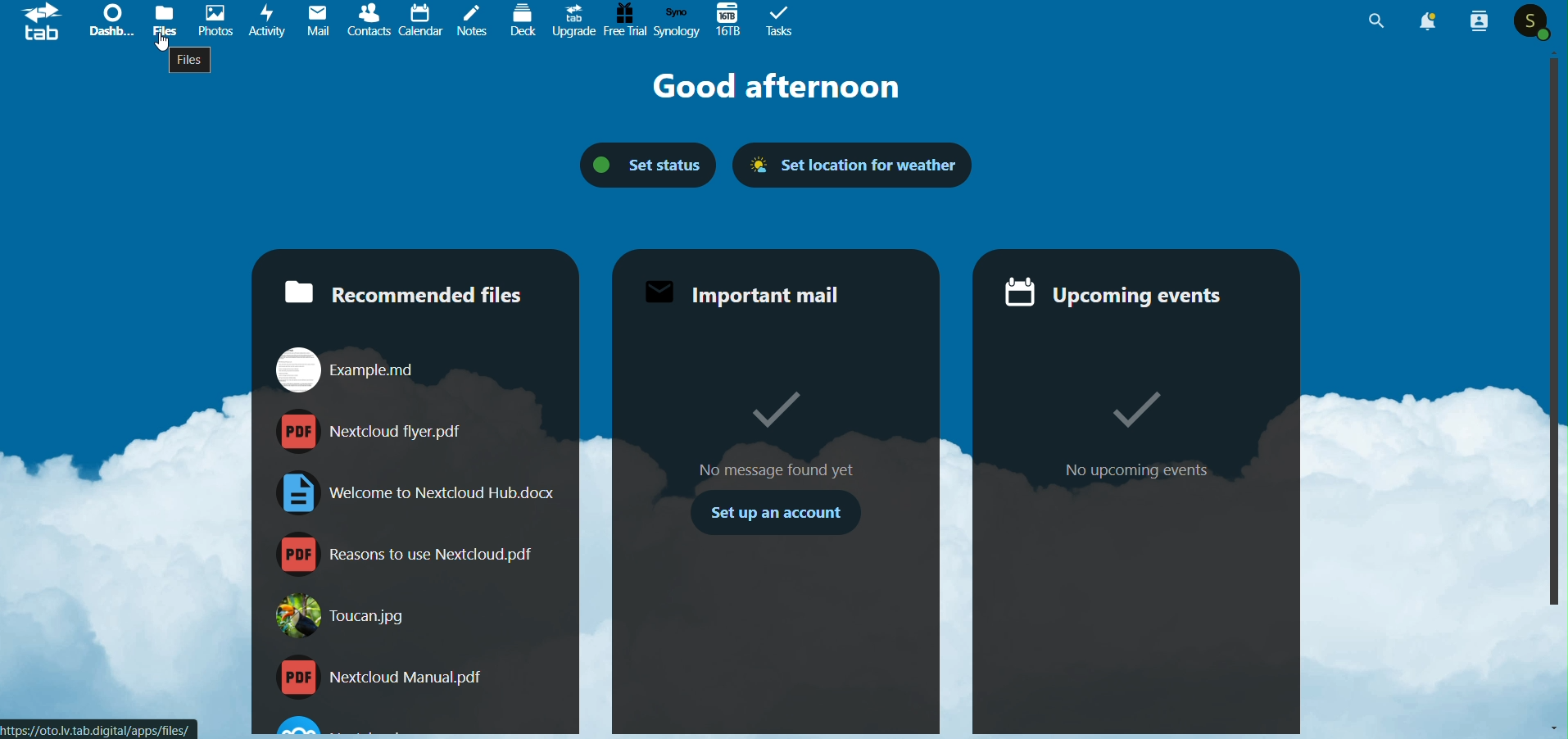 The width and height of the screenshot is (1568, 739). Describe the element at coordinates (355, 618) in the screenshot. I see `Toucan.jpg` at that location.